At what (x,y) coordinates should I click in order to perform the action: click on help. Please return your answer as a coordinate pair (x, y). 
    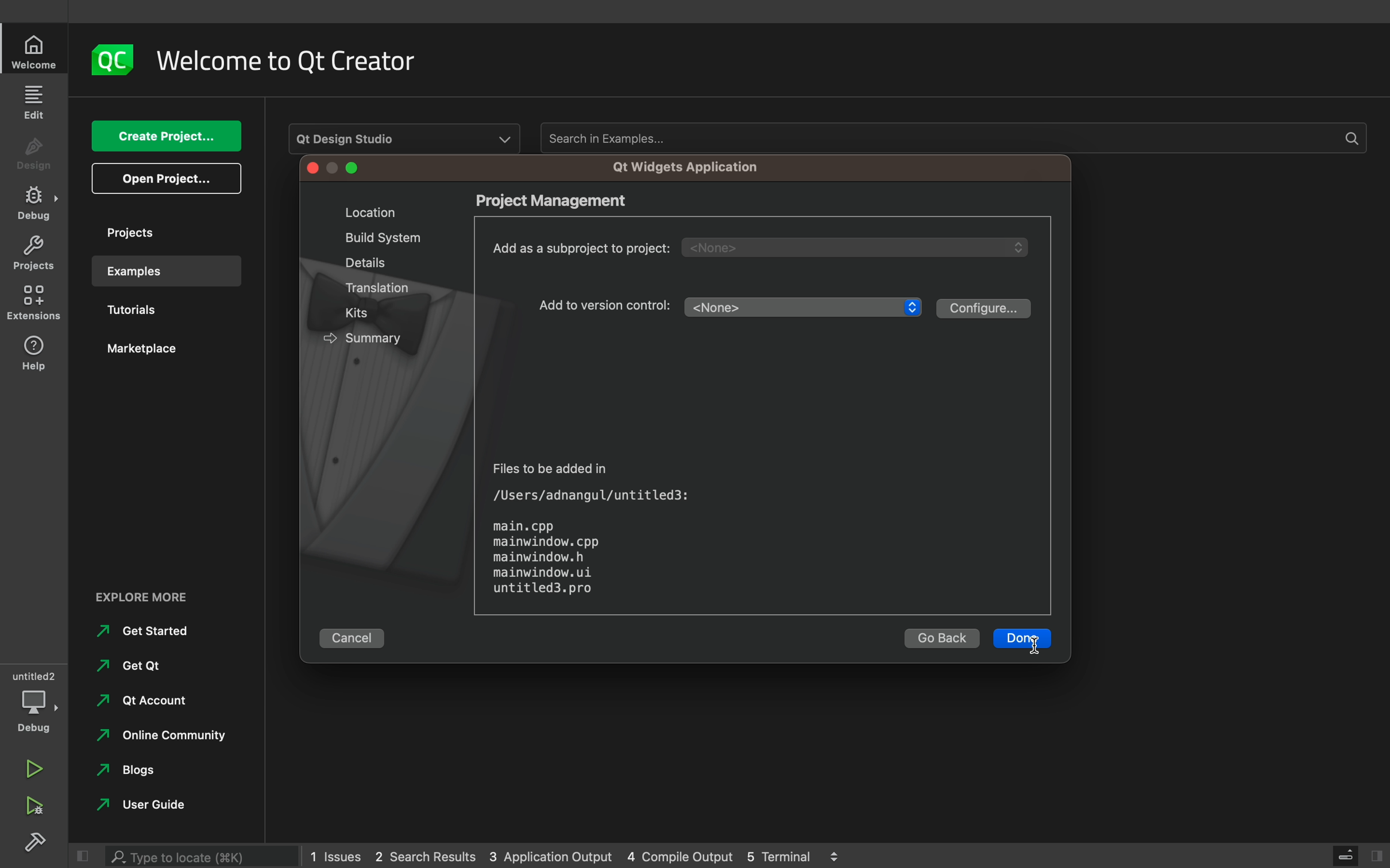
    Looking at the image, I should click on (34, 352).